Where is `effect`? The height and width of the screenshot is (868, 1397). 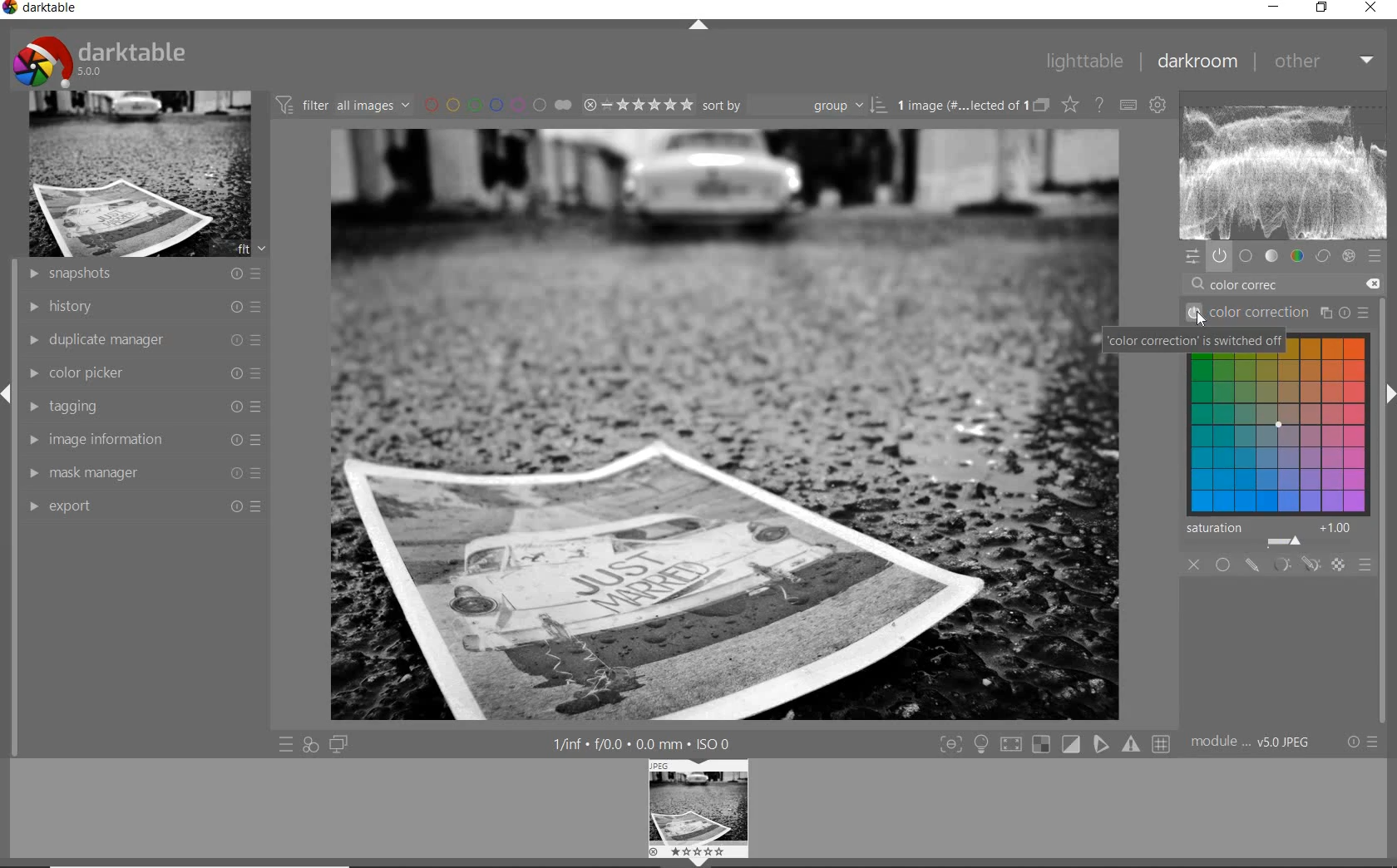 effect is located at coordinates (1348, 256).